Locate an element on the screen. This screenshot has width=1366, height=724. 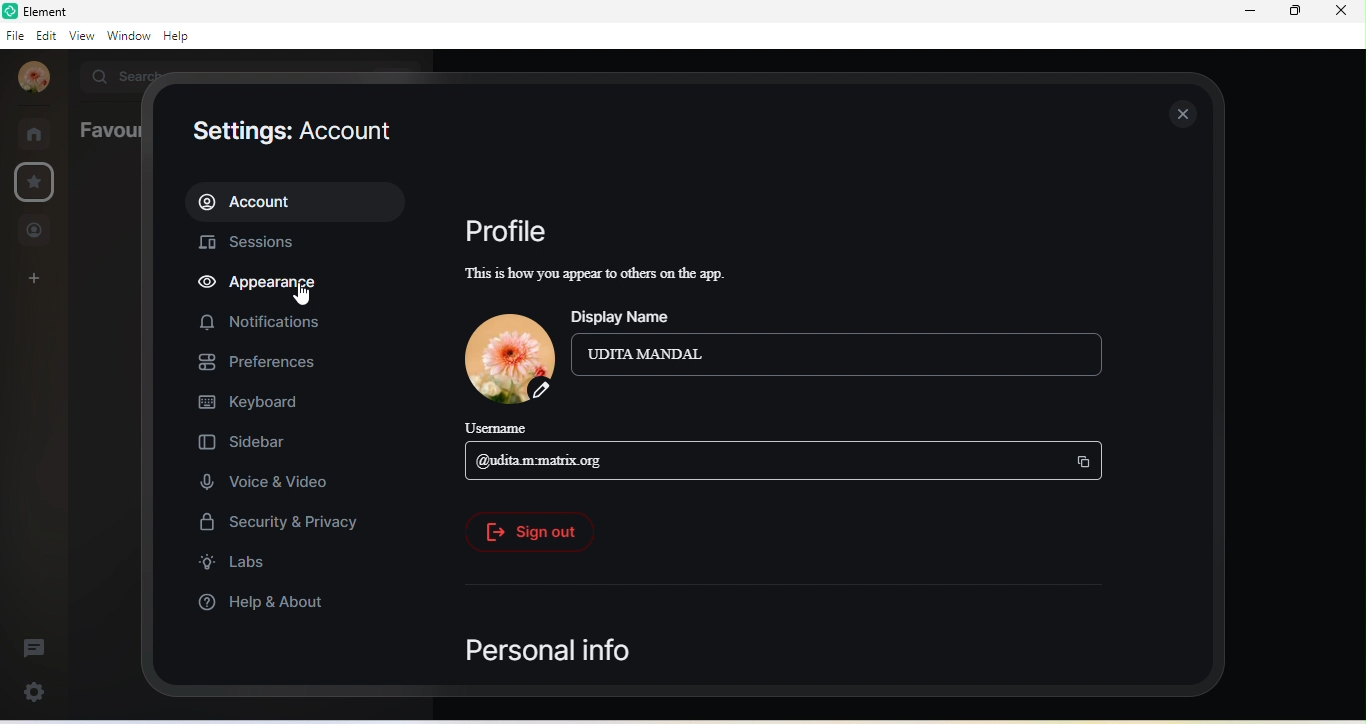
preferences is located at coordinates (257, 361).